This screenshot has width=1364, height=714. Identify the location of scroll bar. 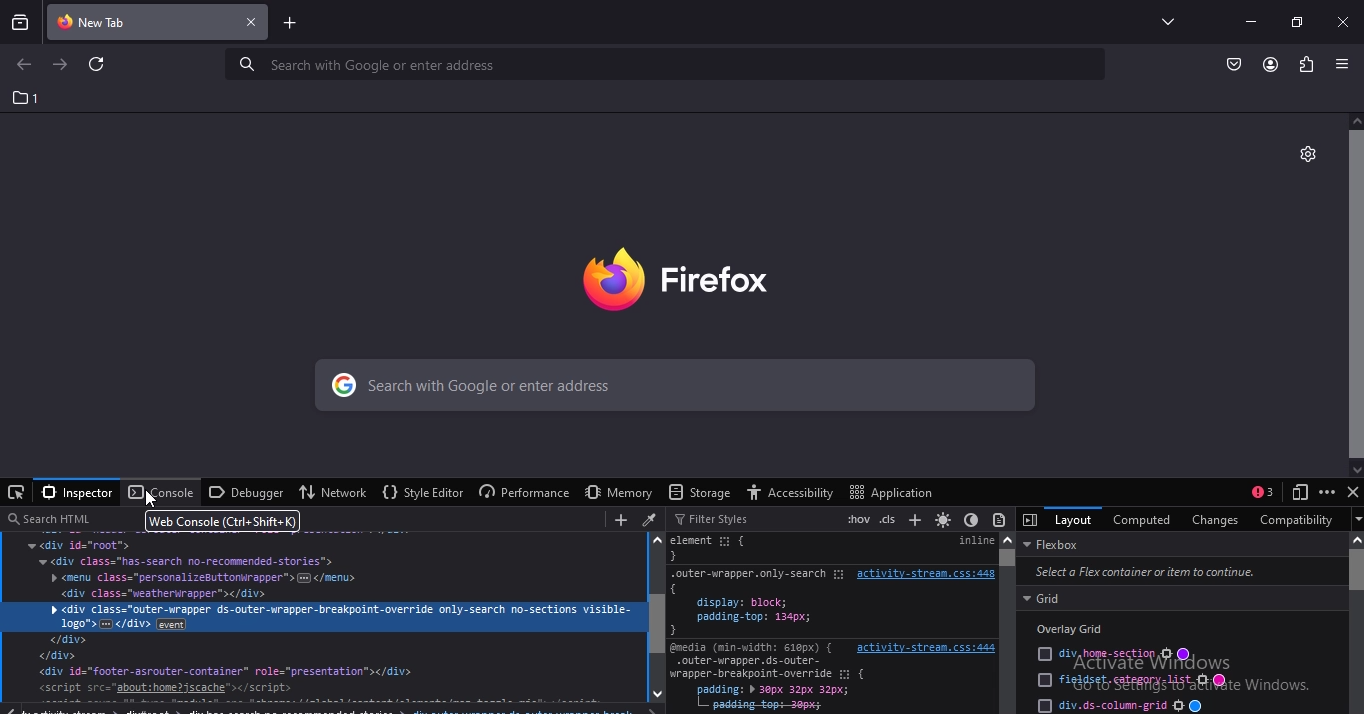
(1355, 297).